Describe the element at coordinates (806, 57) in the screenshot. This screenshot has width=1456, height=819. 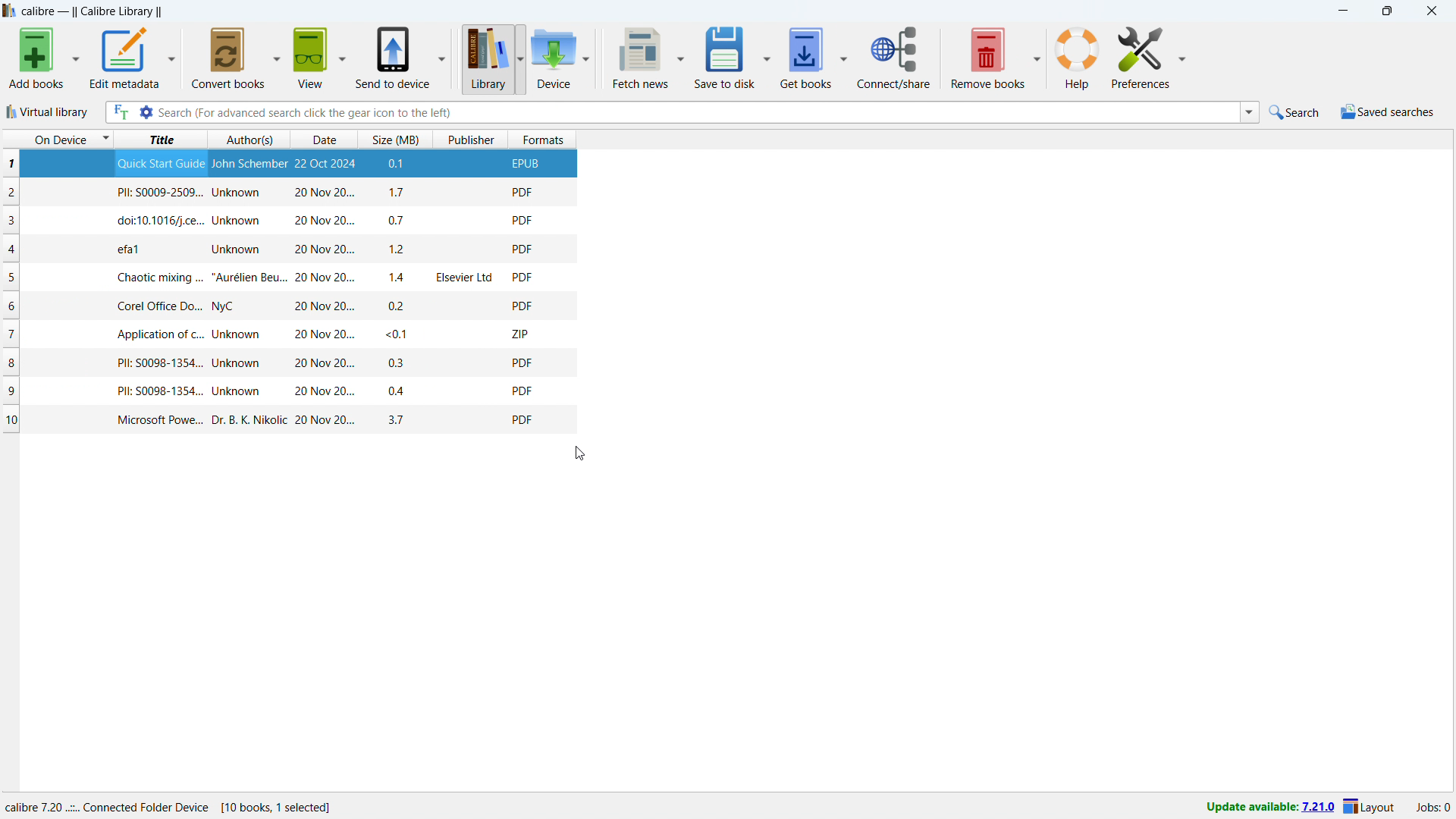
I see `get books` at that location.